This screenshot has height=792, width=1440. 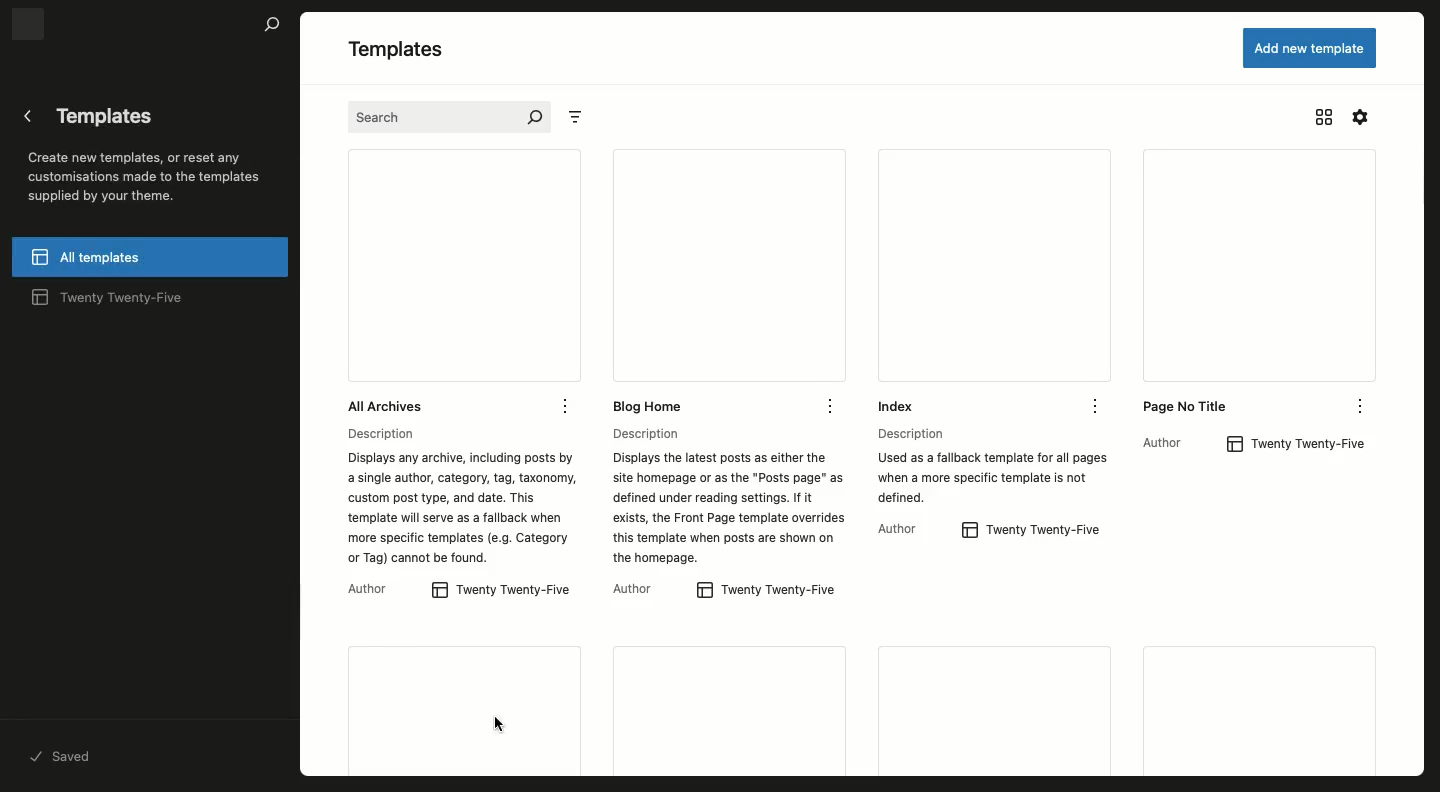 What do you see at coordinates (144, 114) in the screenshot?
I see `Templates` at bounding box center [144, 114].